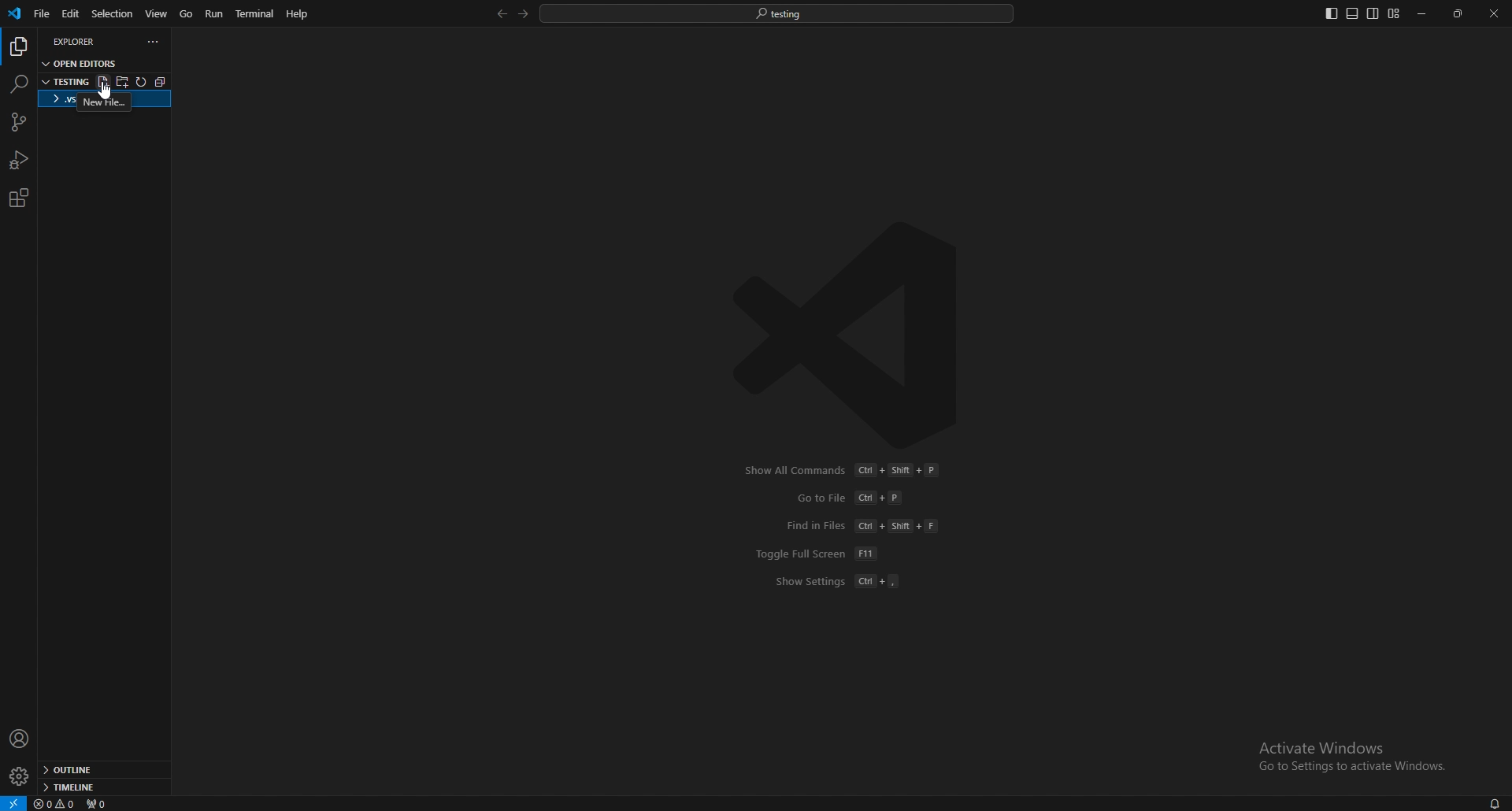 Image resolution: width=1512 pixels, height=811 pixels. What do you see at coordinates (498, 14) in the screenshot?
I see `back` at bounding box center [498, 14].